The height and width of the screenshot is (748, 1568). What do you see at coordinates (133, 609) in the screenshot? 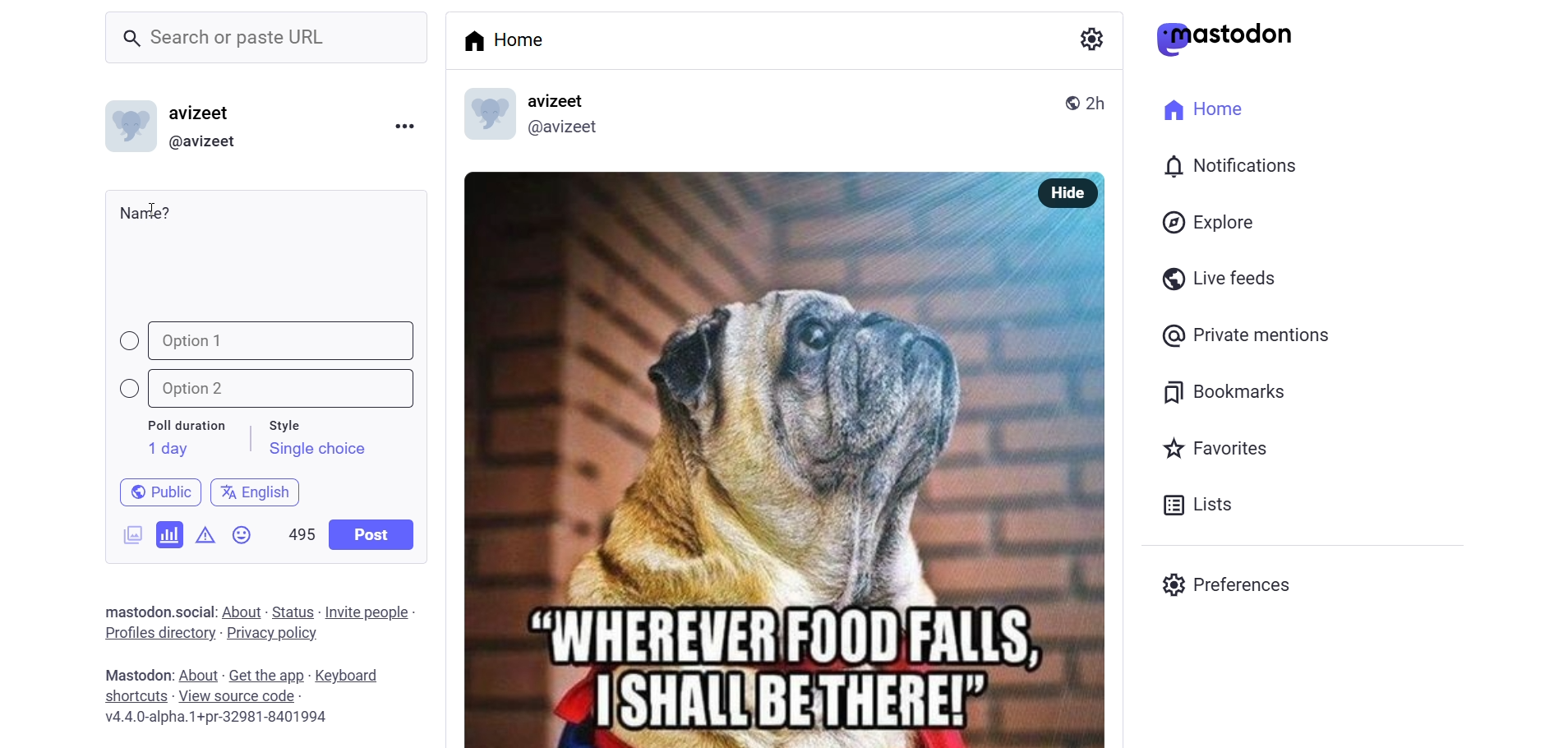
I see `mastodon` at bounding box center [133, 609].